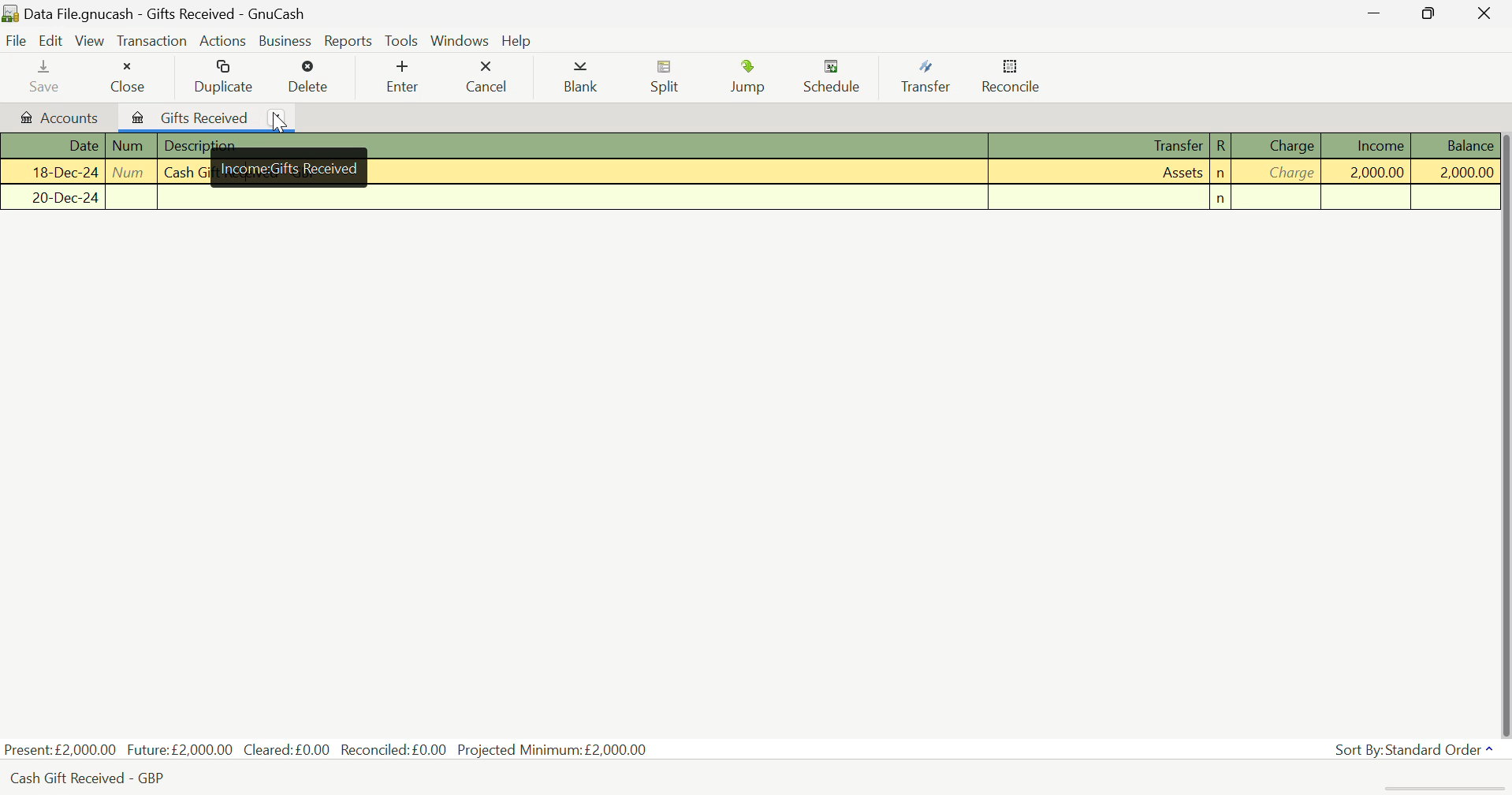 The image size is (1512, 795). I want to click on Date, so click(53, 198).